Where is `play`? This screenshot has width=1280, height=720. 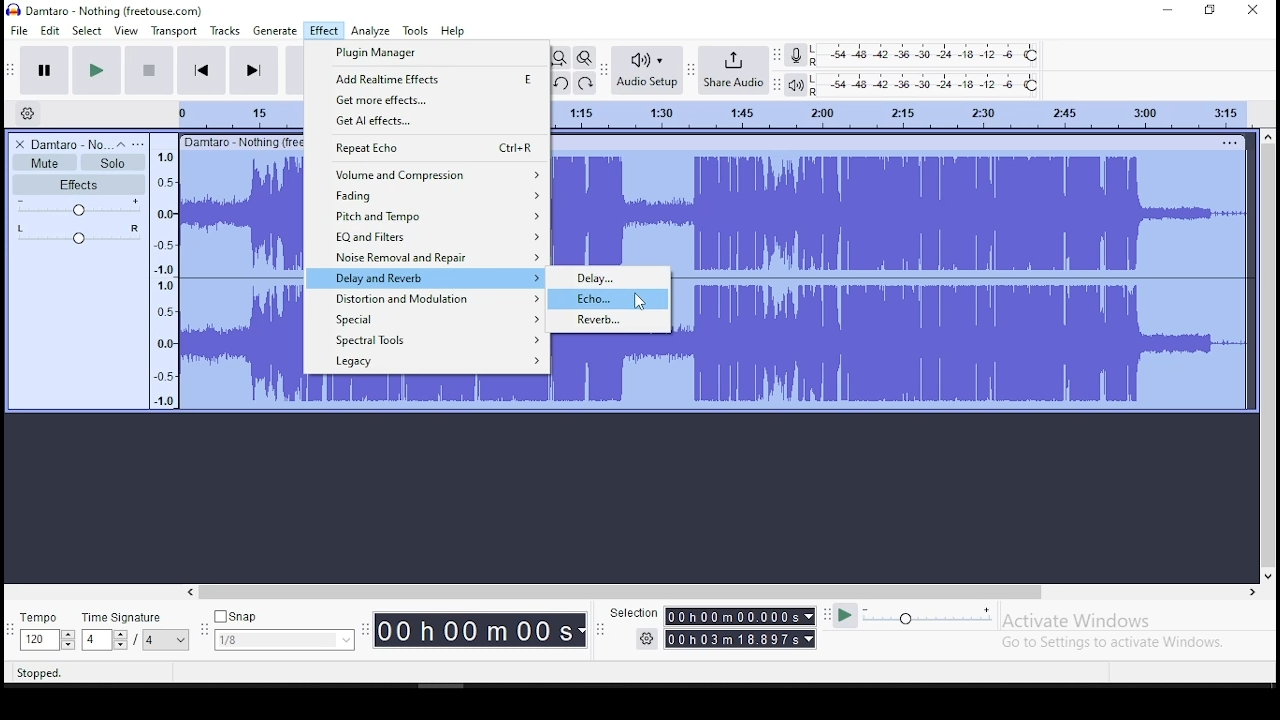
play is located at coordinates (97, 69).